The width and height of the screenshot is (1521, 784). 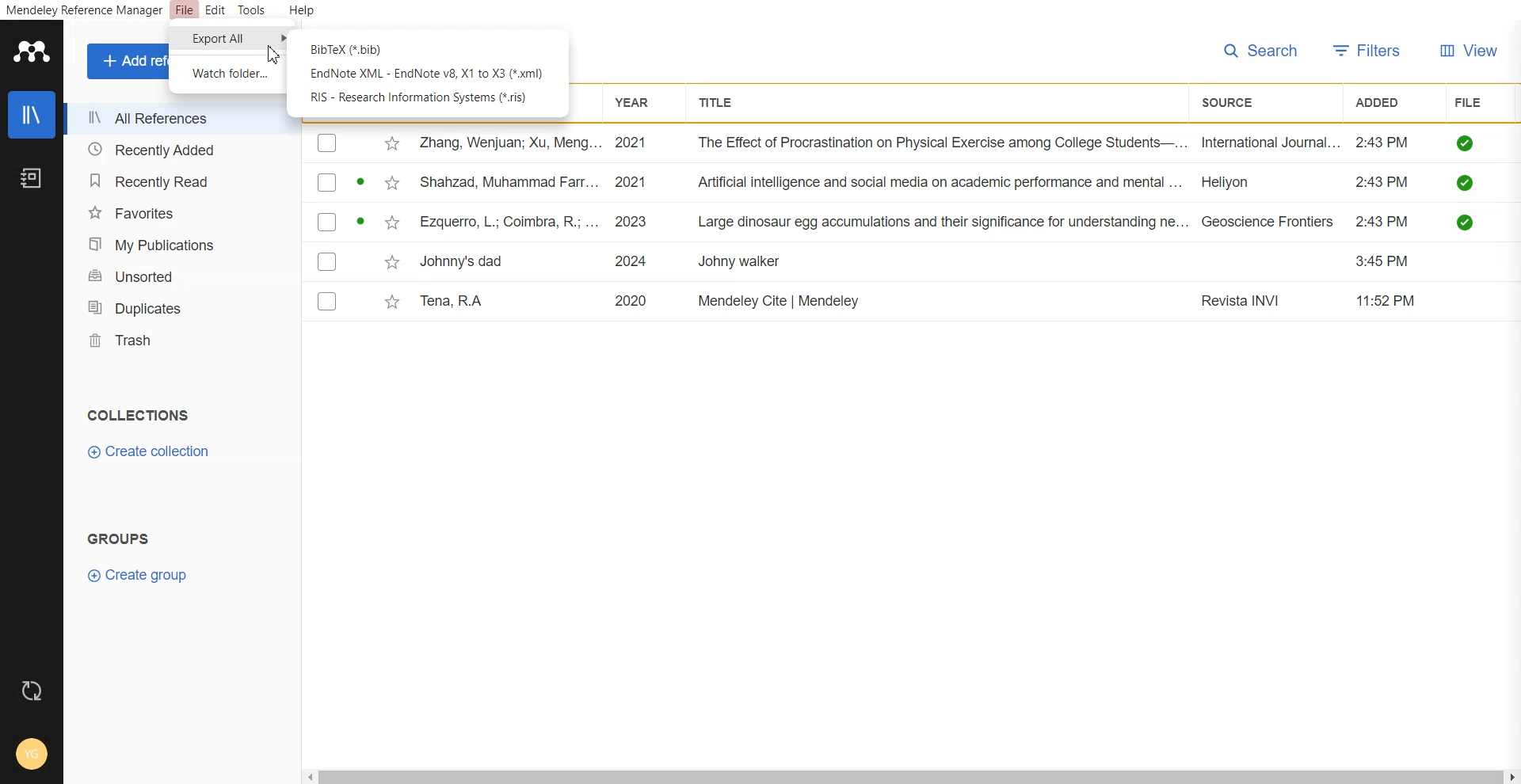 I want to click on Zhang, Wenjuan; Xu, Meng..., so click(x=509, y=143).